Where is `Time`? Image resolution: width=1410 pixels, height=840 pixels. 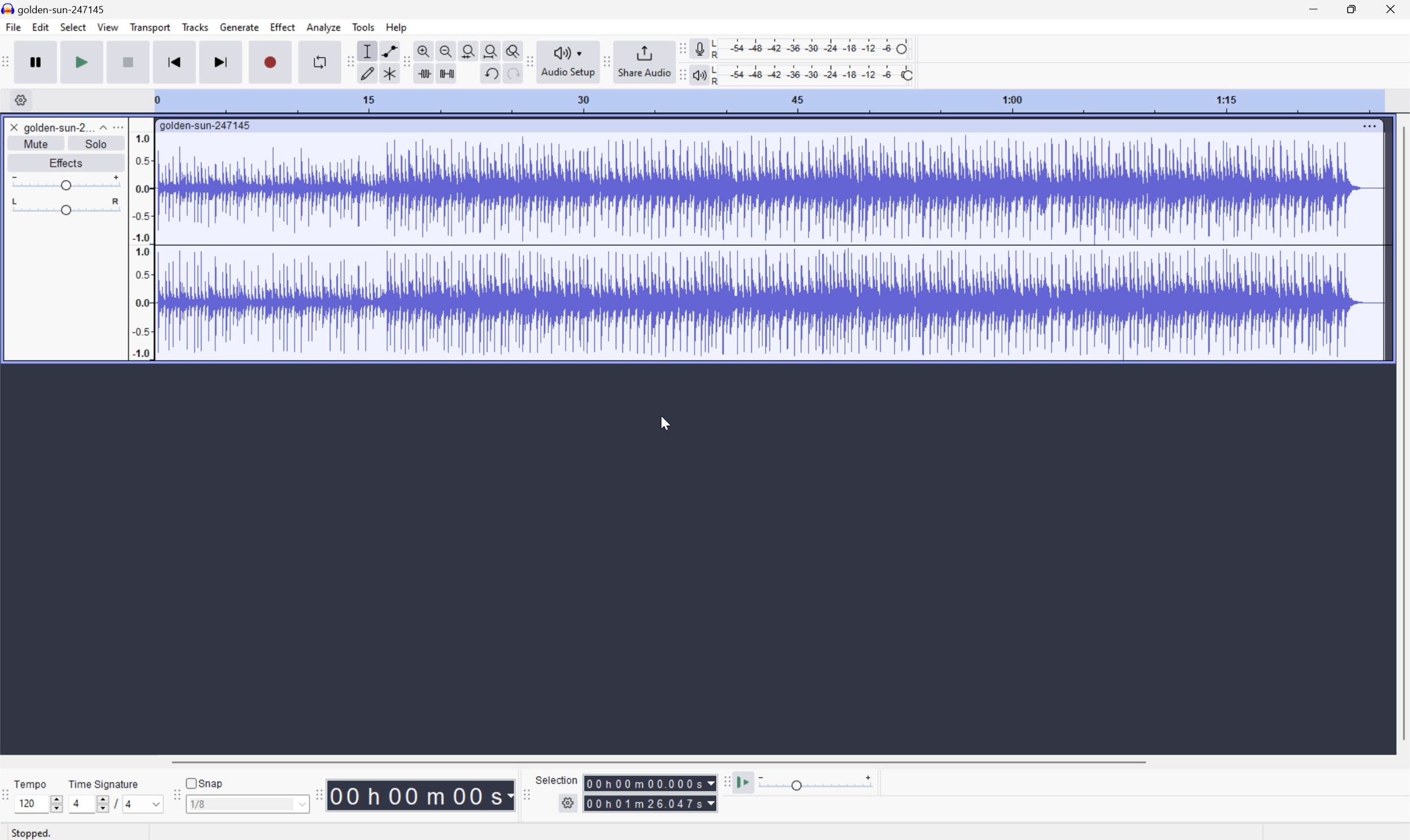 Time is located at coordinates (421, 794).